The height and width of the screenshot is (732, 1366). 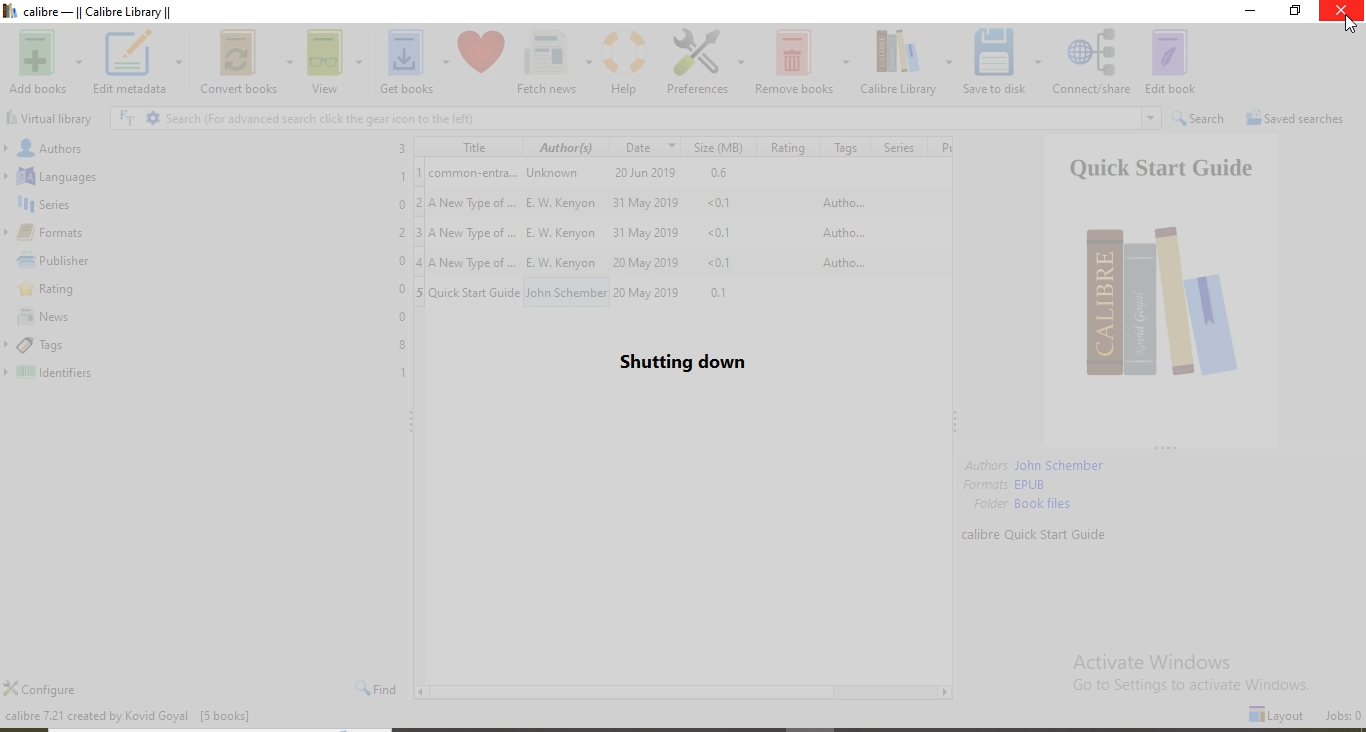 I want to click on 20 May 2019, so click(x=644, y=261).